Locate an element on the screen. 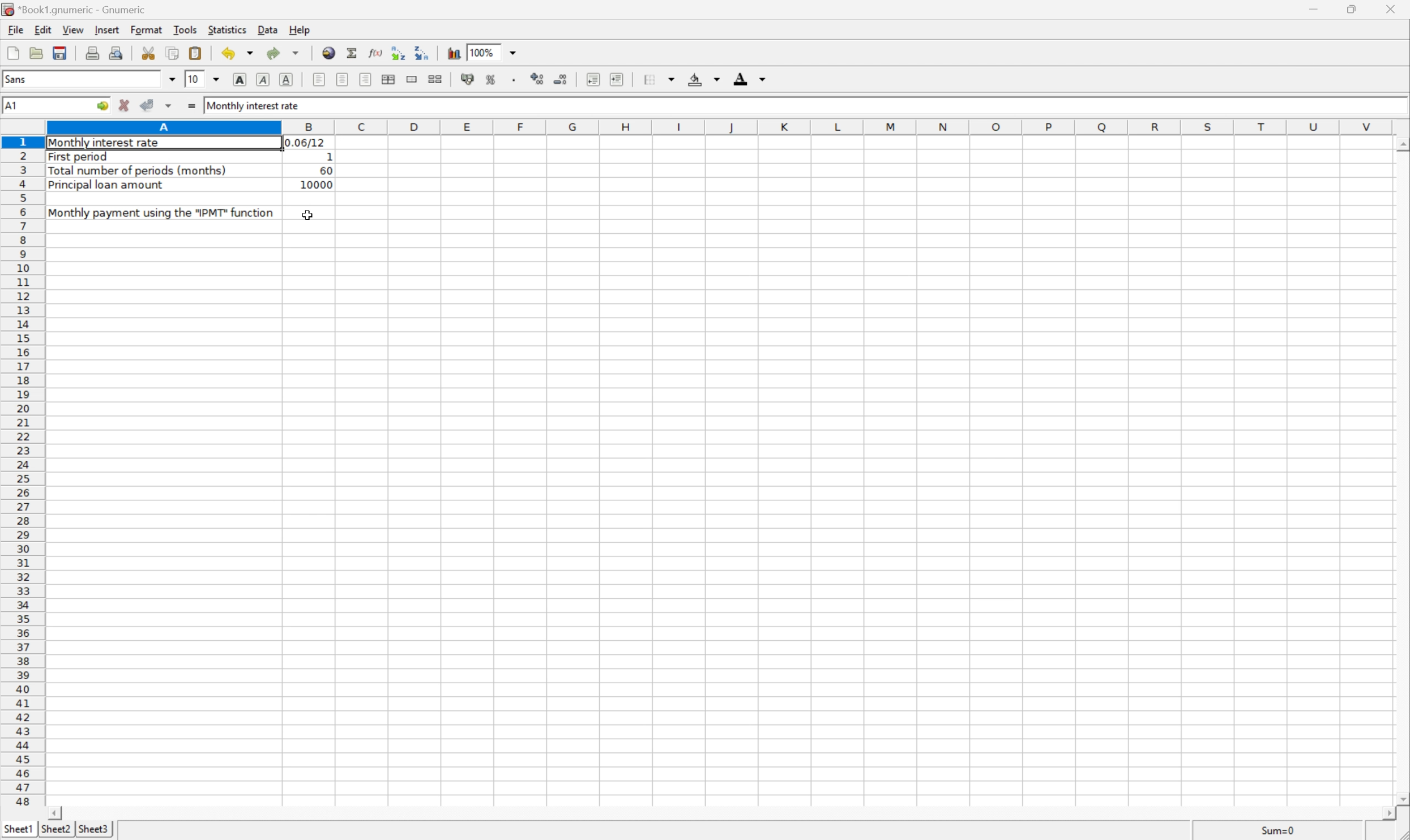  Edit is located at coordinates (43, 29).